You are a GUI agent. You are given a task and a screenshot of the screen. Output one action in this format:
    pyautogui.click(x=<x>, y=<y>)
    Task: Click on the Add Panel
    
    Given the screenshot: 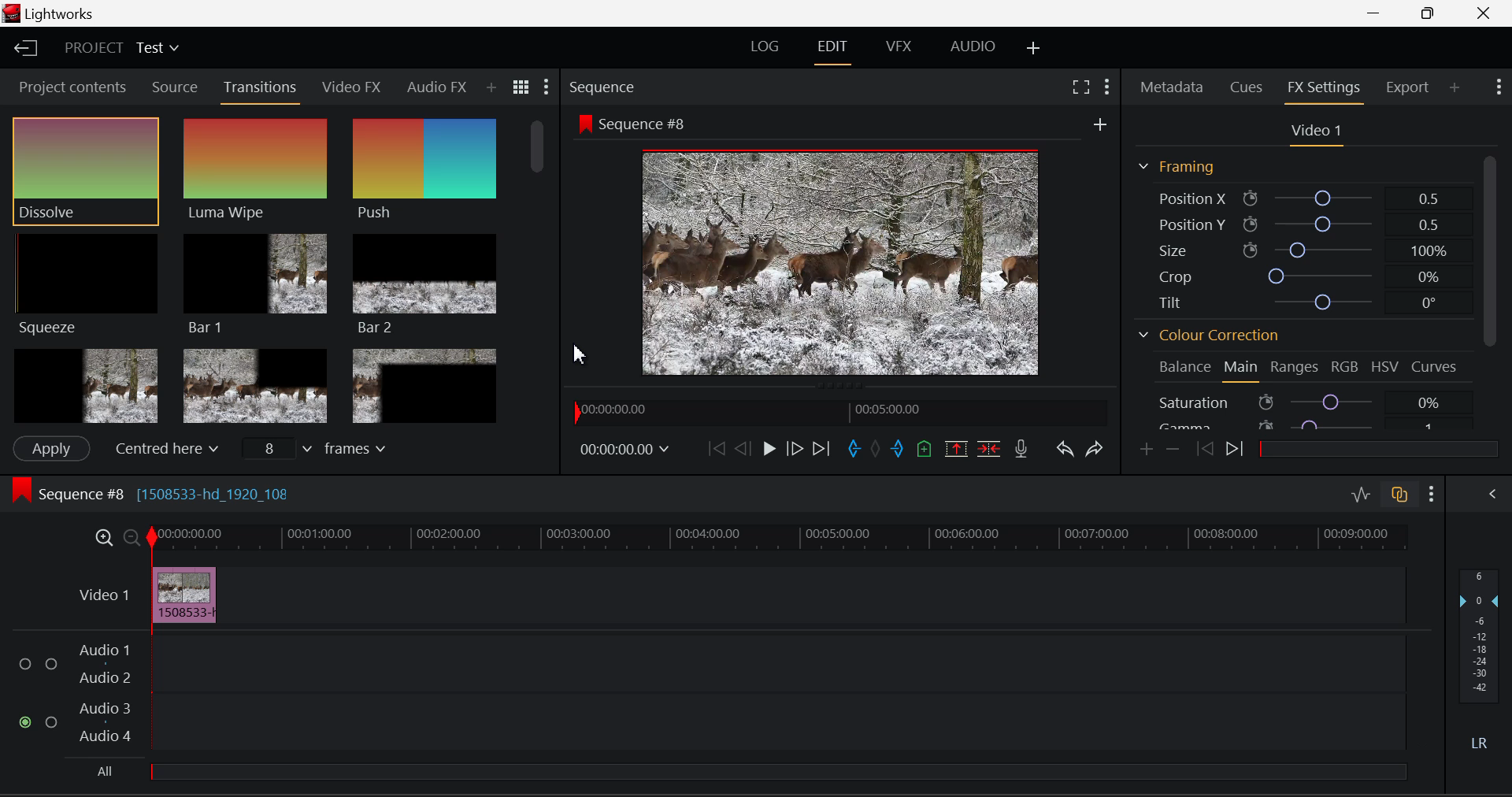 What is the action you would take?
    pyautogui.click(x=1456, y=88)
    